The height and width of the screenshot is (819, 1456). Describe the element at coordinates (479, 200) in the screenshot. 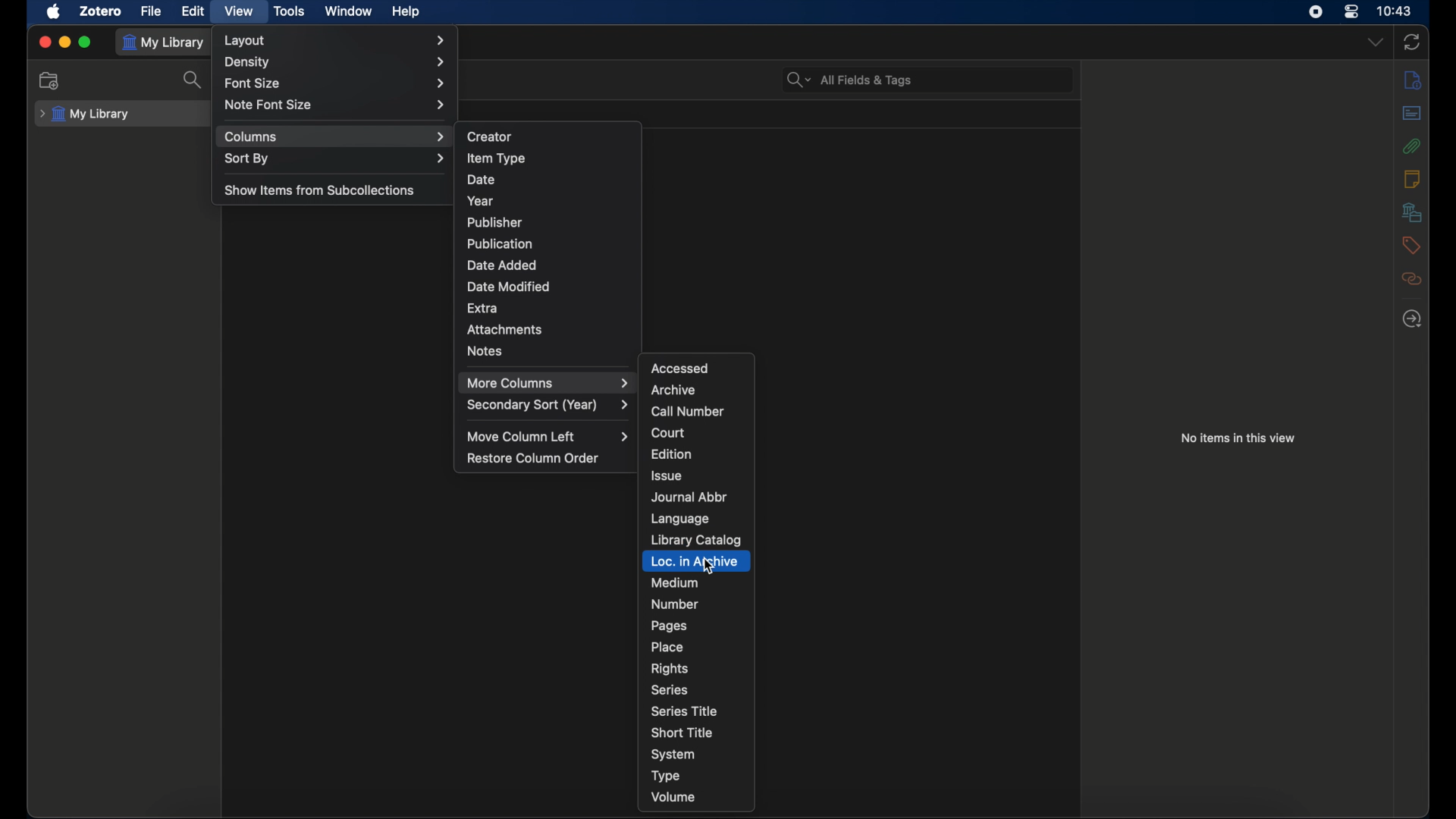

I see `year` at that location.